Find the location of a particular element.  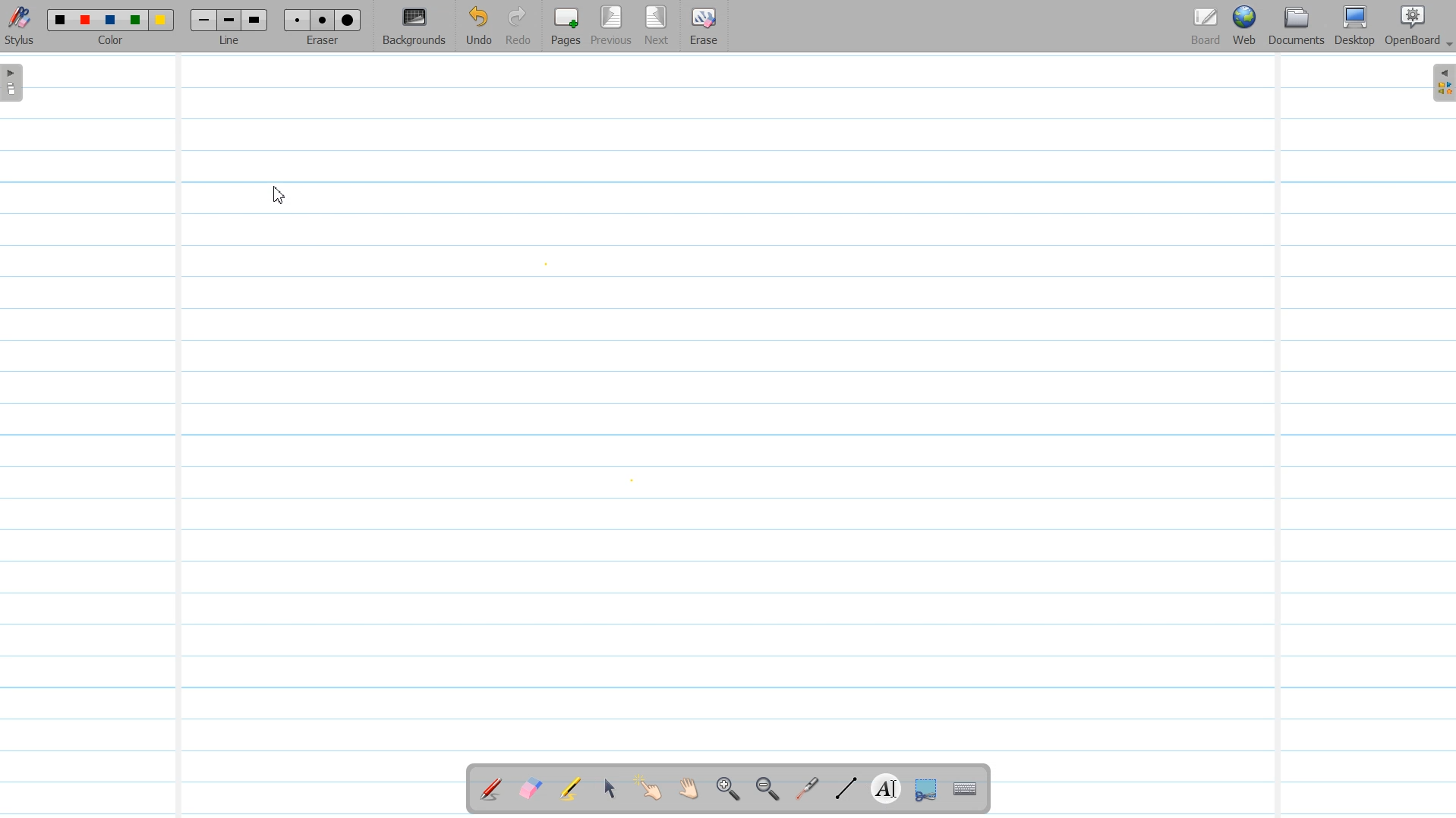

Text Tool is located at coordinates (883, 789).